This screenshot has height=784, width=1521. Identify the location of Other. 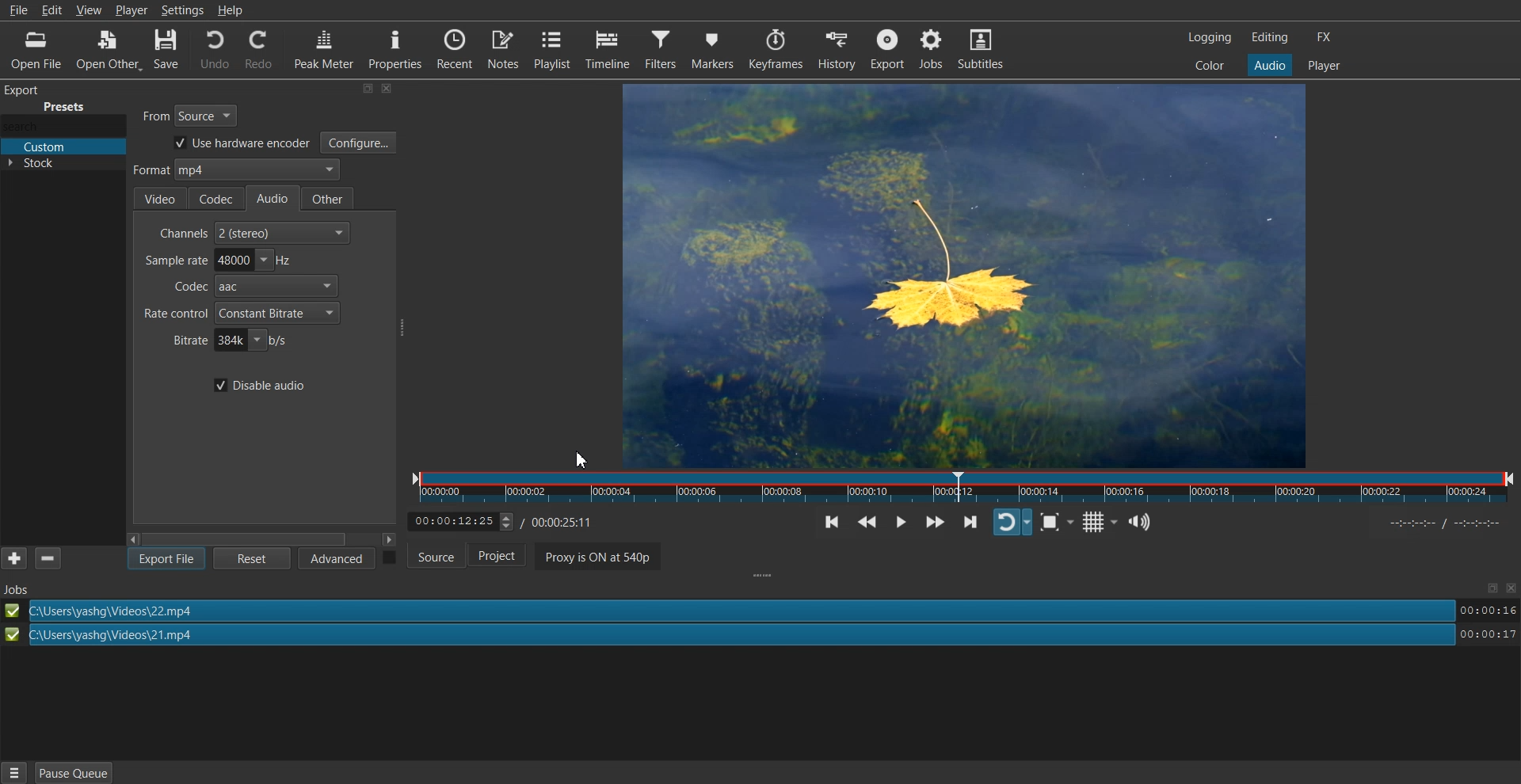
(330, 198).